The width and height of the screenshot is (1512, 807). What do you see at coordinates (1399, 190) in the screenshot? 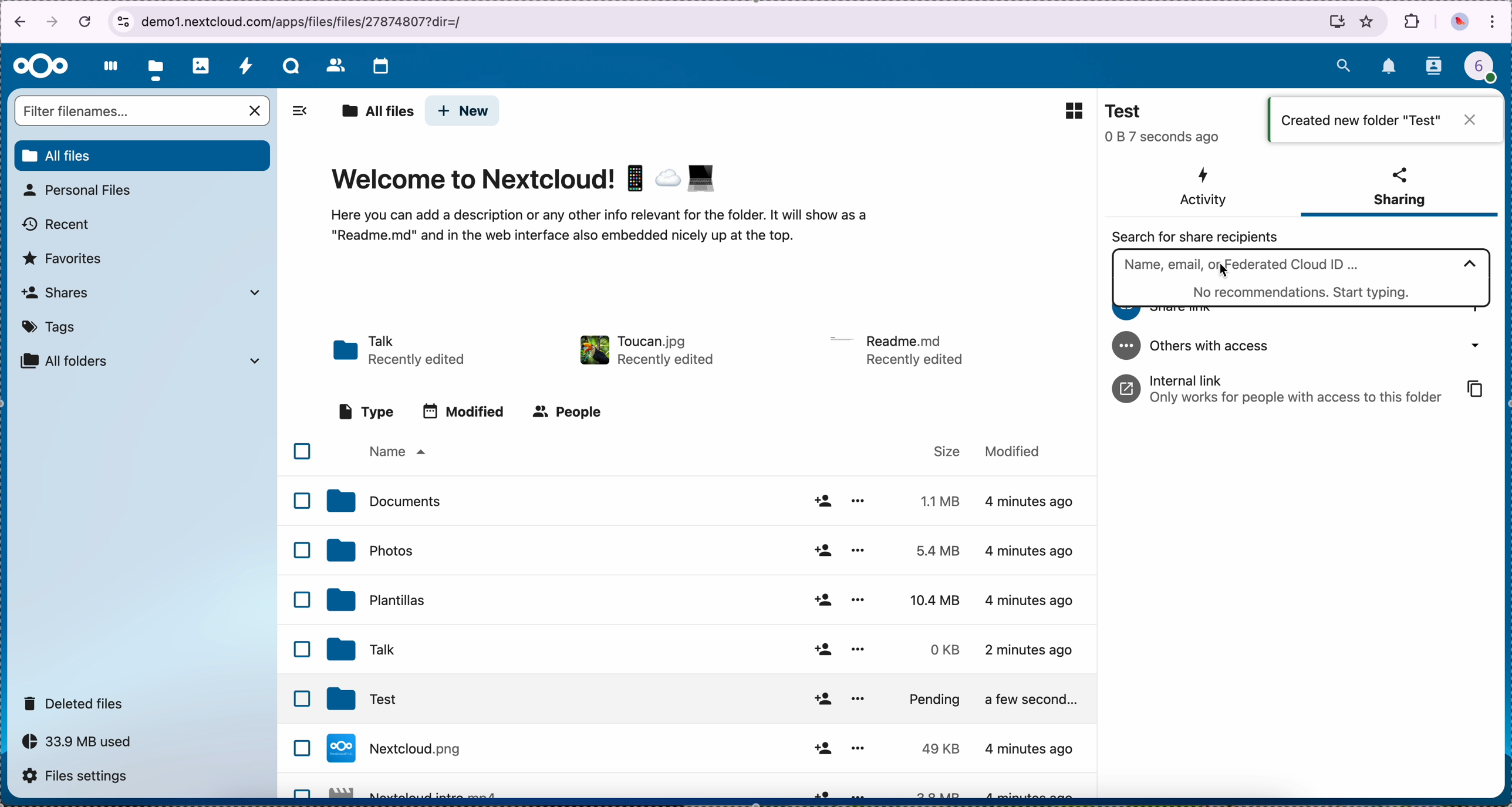
I see `sharing` at bounding box center [1399, 190].